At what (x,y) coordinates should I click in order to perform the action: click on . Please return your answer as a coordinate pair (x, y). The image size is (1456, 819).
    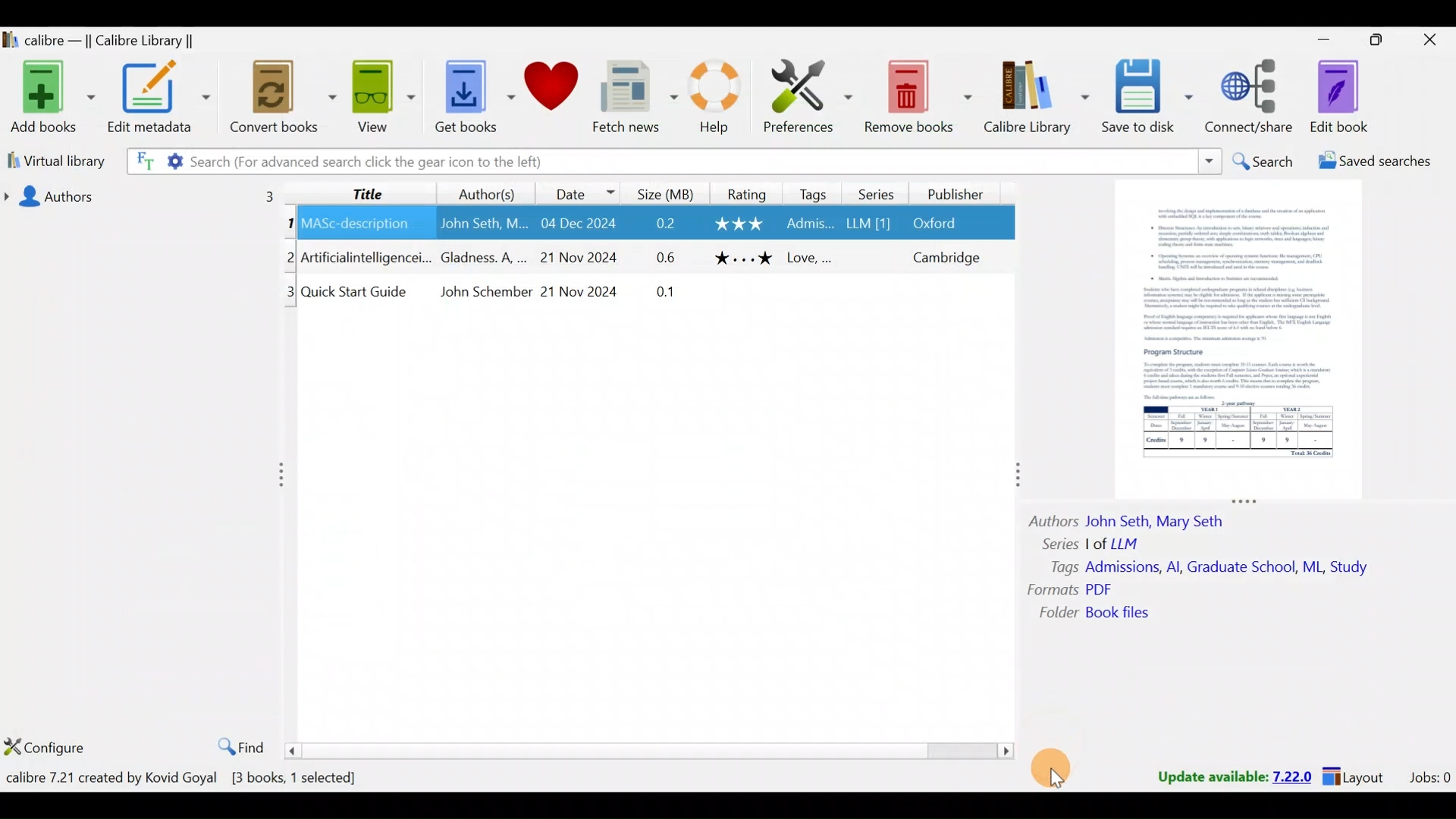
    Looking at the image, I should click on (289, 293).